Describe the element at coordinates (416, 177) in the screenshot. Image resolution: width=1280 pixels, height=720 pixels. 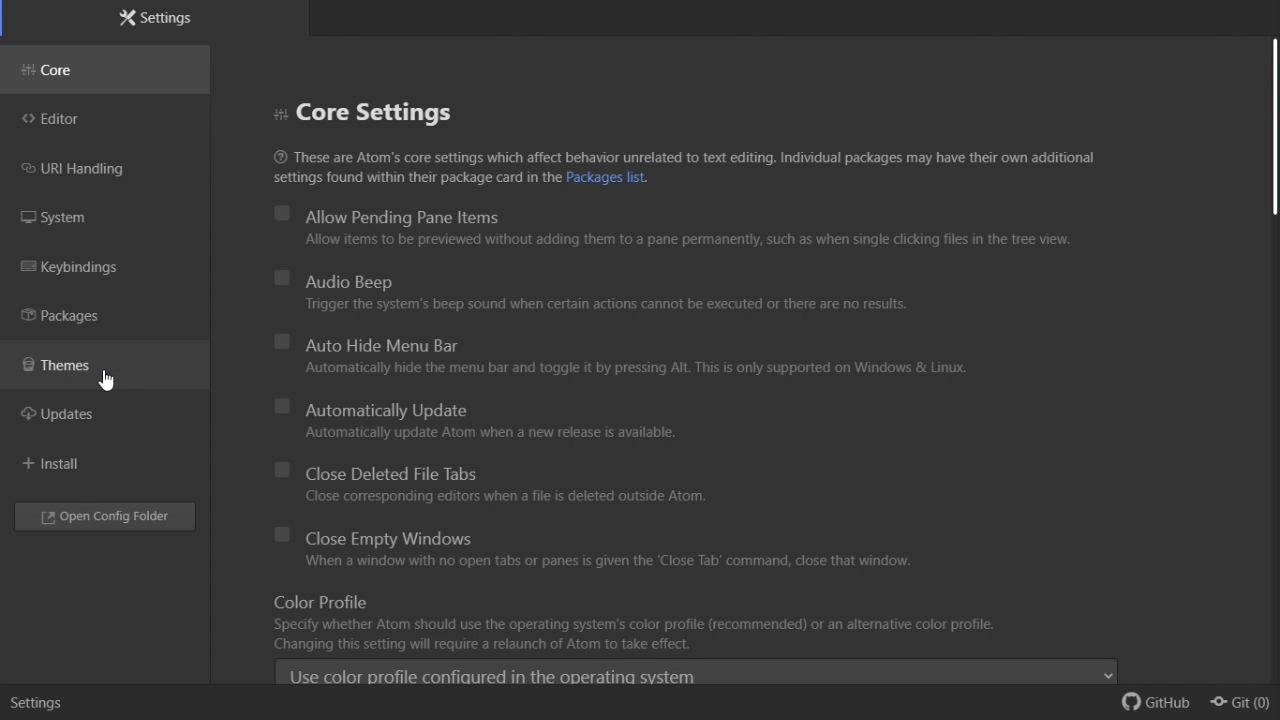
I see `settings found within their package card in the` at that location.